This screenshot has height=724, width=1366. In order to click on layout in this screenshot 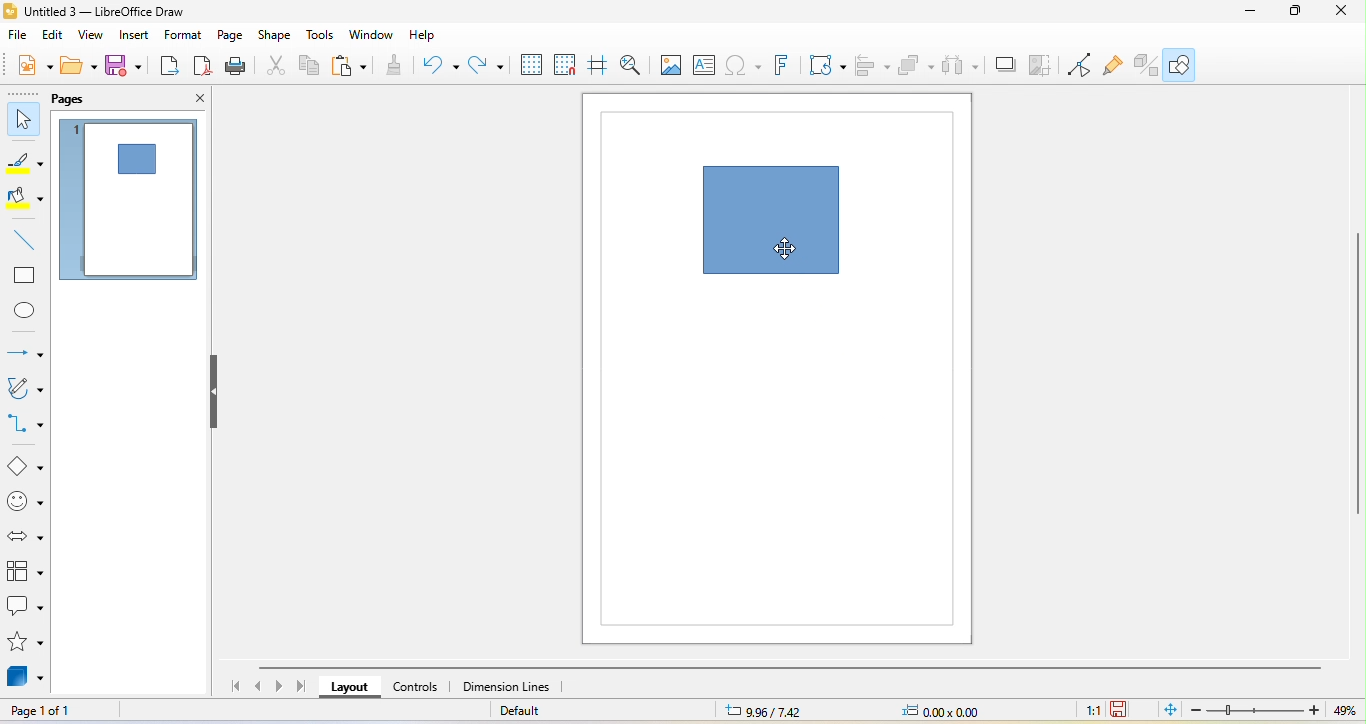, I will do `click(349, 688)`.